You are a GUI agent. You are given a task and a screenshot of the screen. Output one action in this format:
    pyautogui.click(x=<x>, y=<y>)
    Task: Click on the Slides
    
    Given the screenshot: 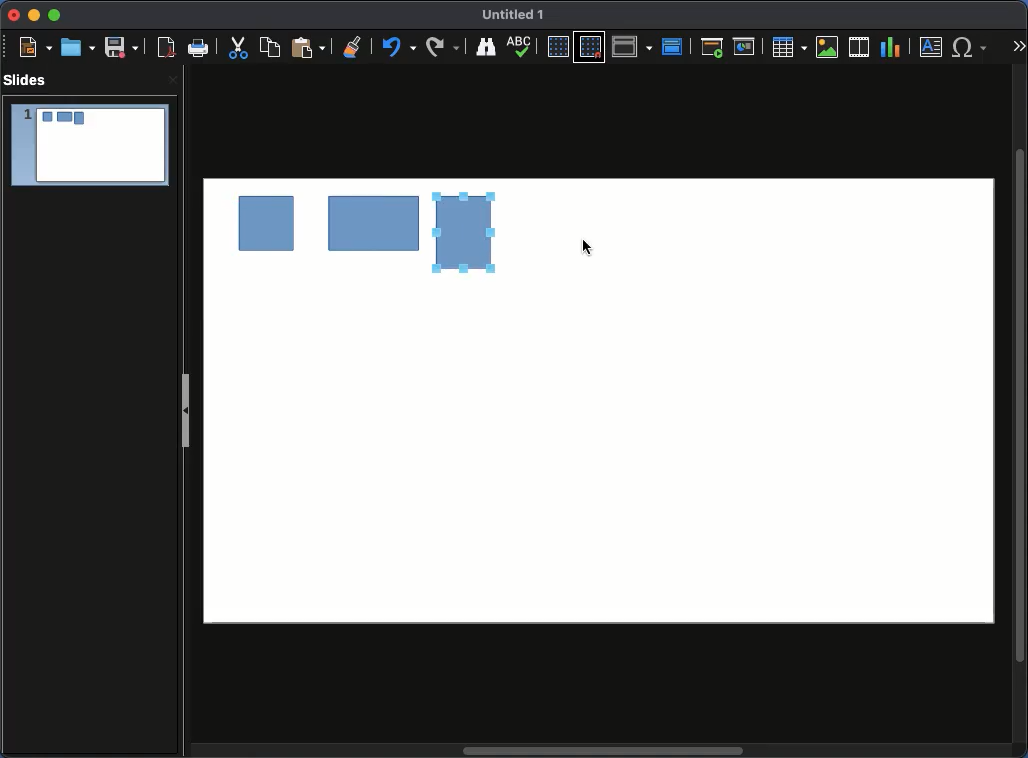 What is the action you would take?
    pyautogui.click(x=27, y=79)
    